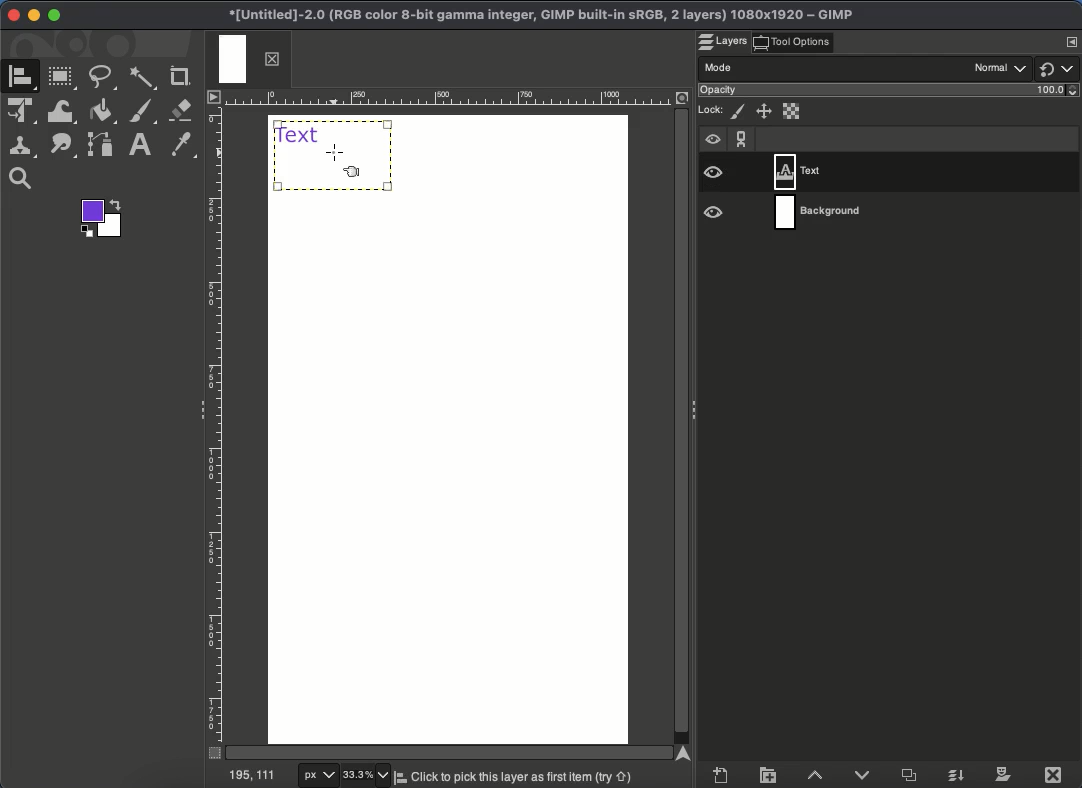 The image size is (1082, 788). I want to click on Lock, so click(712, 113).